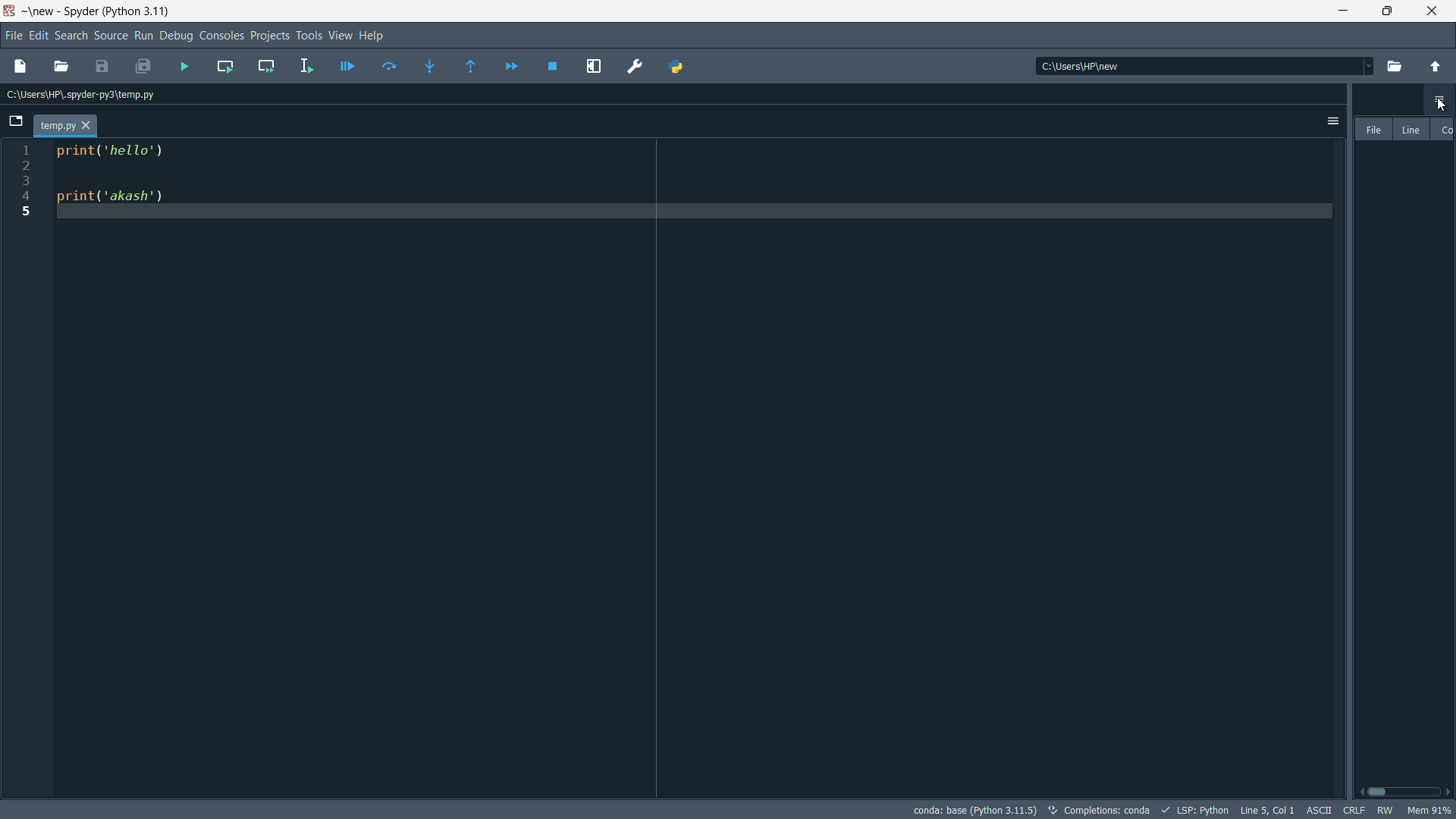 Image resolution: width=1456 pixels, height=819 pixels. I want to click on app icon, so click(11, 12).